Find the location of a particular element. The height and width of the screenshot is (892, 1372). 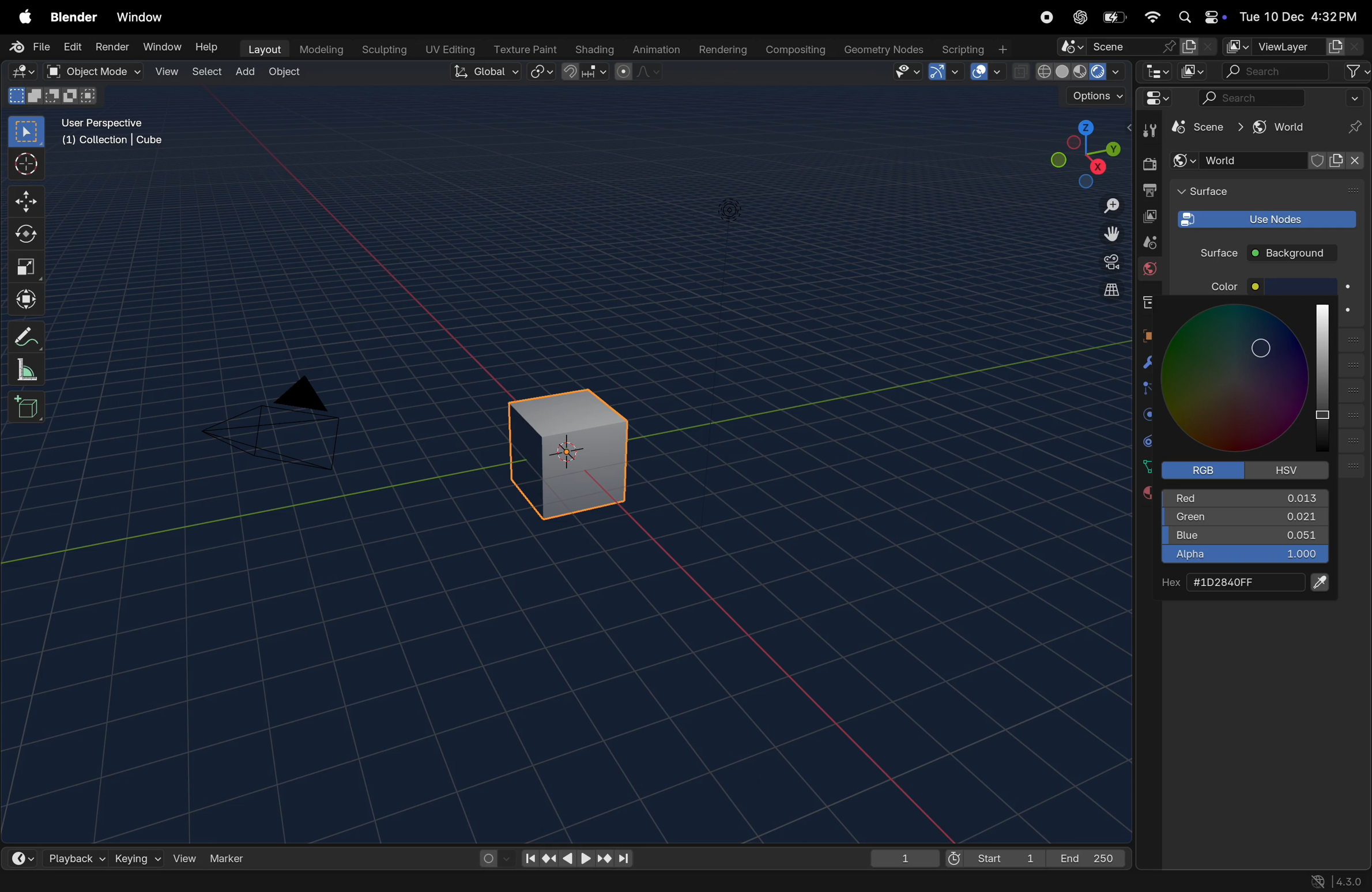

blue is located at coordinates (1245, 537).